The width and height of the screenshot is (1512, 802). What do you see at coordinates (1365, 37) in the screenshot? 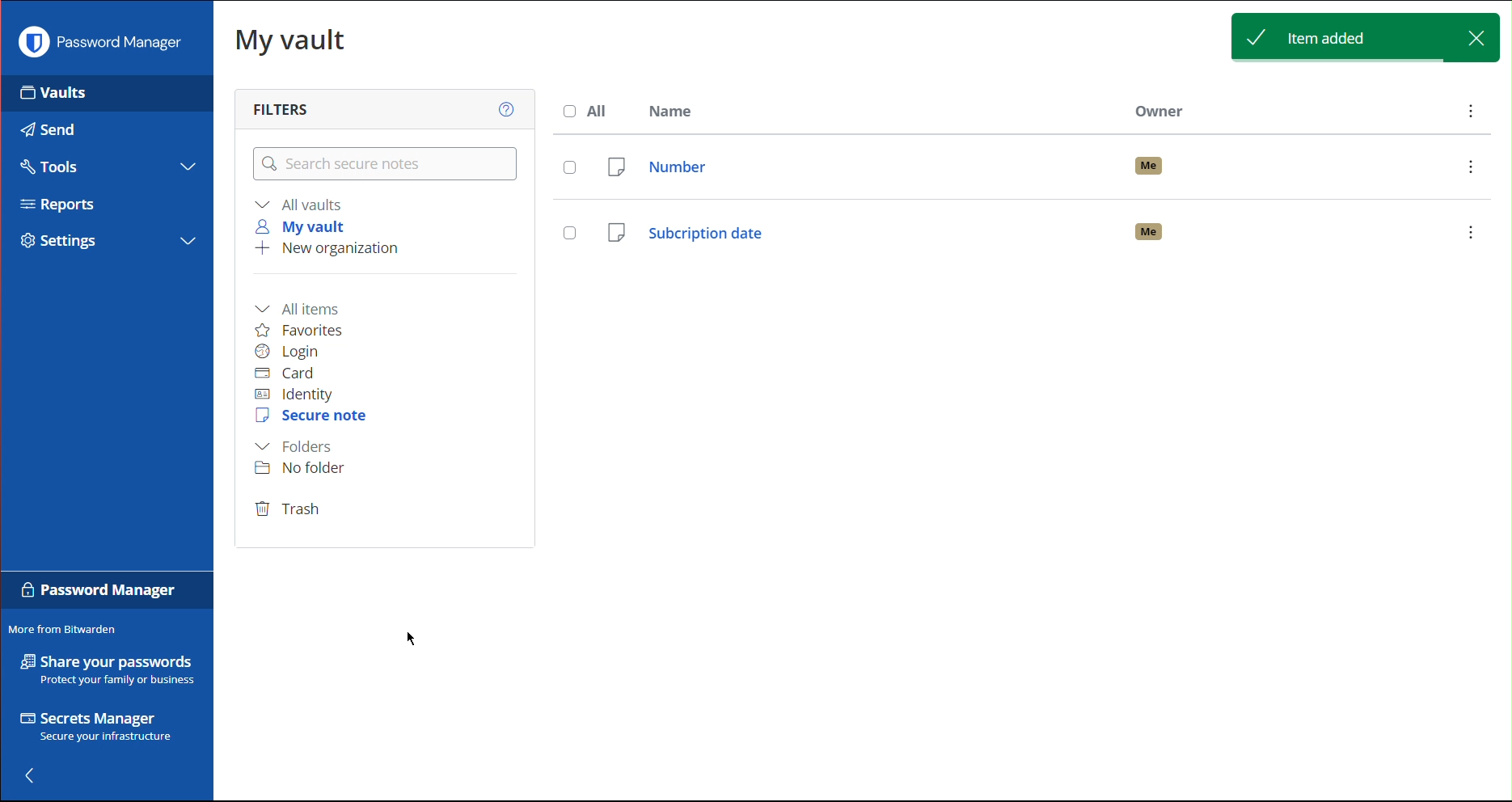
I see `Item added` at bounding box center [1365, 37].